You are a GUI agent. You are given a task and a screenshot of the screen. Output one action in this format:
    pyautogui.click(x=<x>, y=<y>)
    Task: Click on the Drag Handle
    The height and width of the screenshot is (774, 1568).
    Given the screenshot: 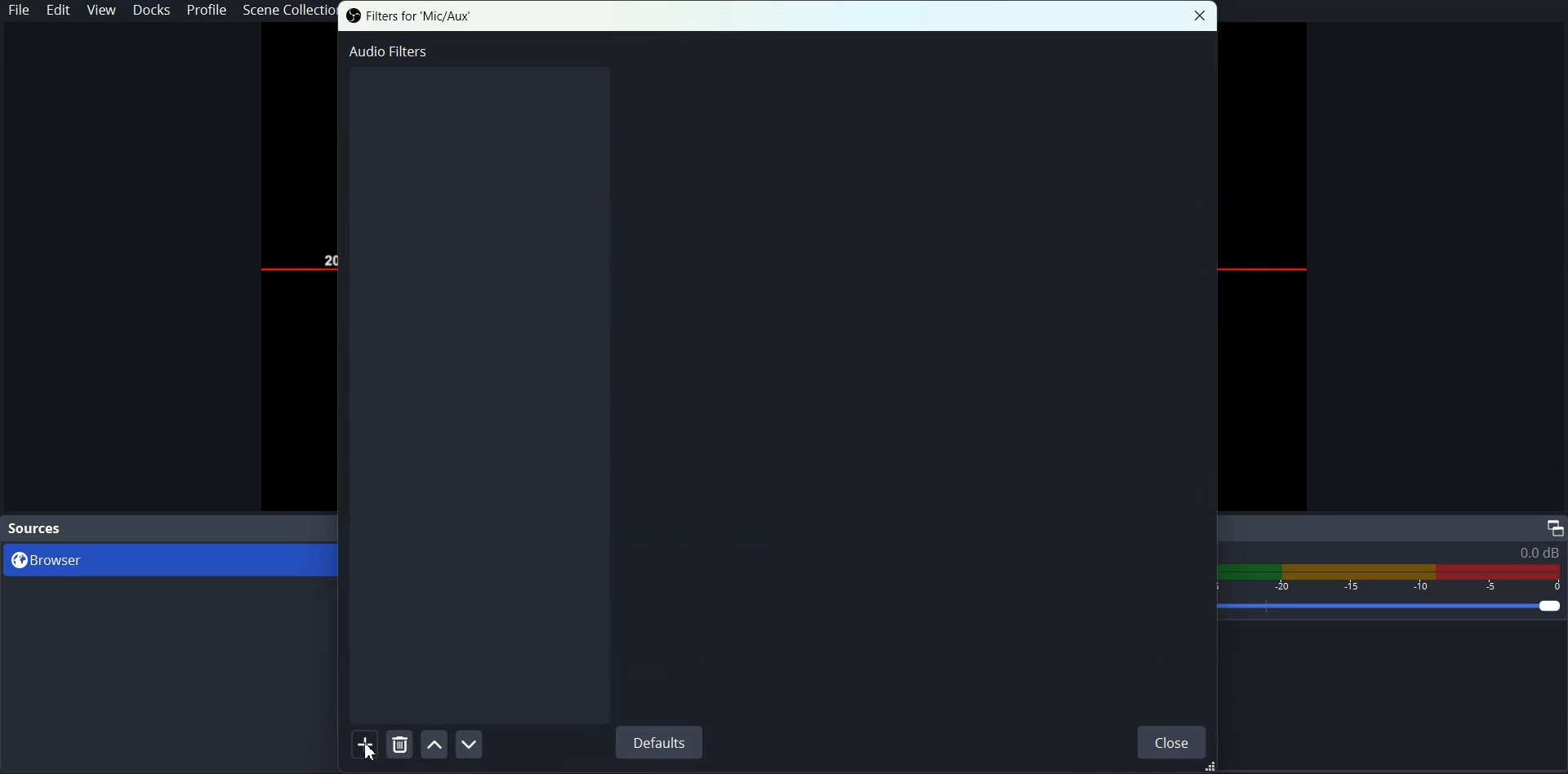 What is the action you would take?
    pyautogui.click(x=1210, y=767)
    